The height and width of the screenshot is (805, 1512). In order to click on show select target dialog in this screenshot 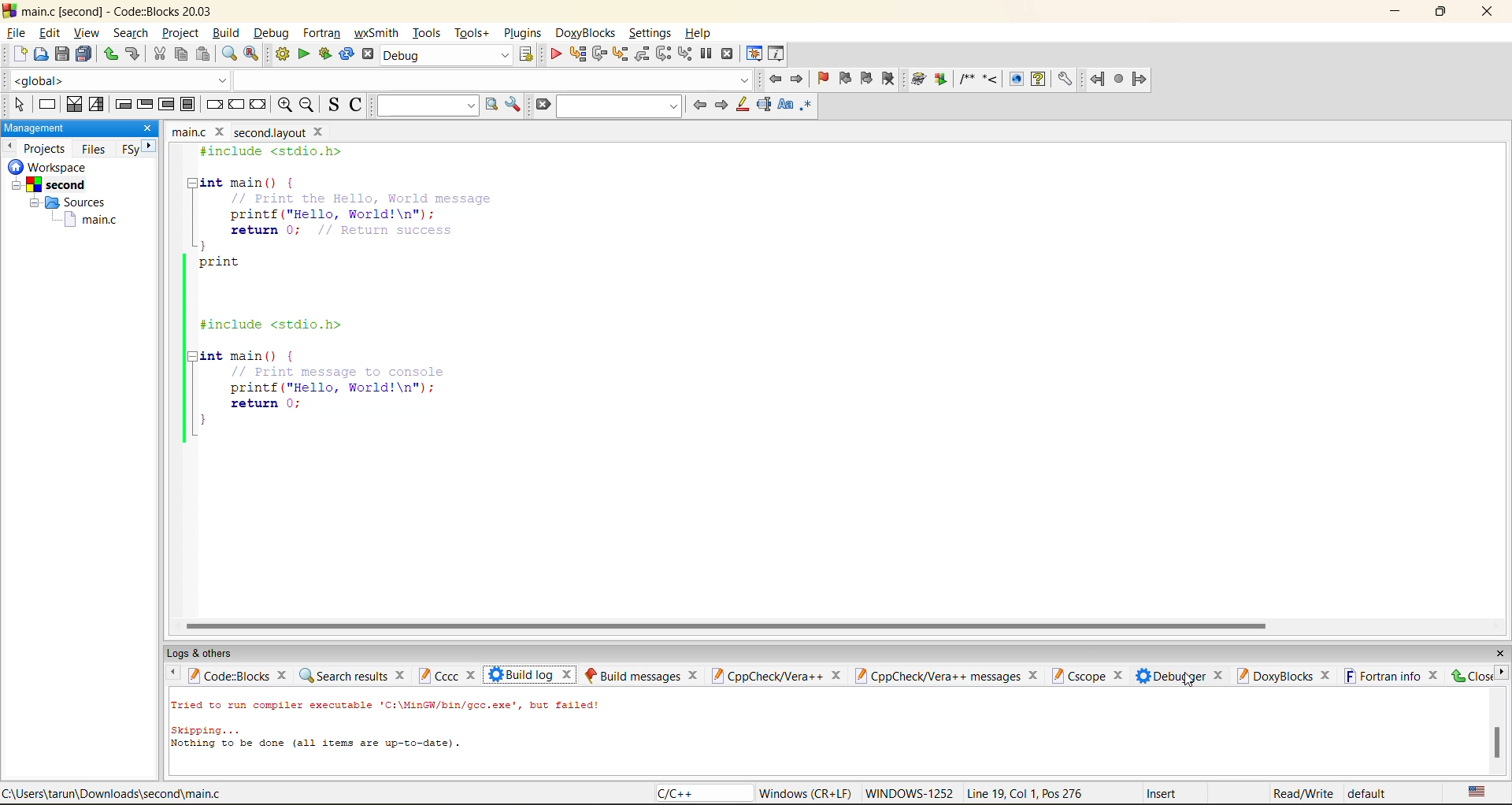, I will do `click(524, 54)`.